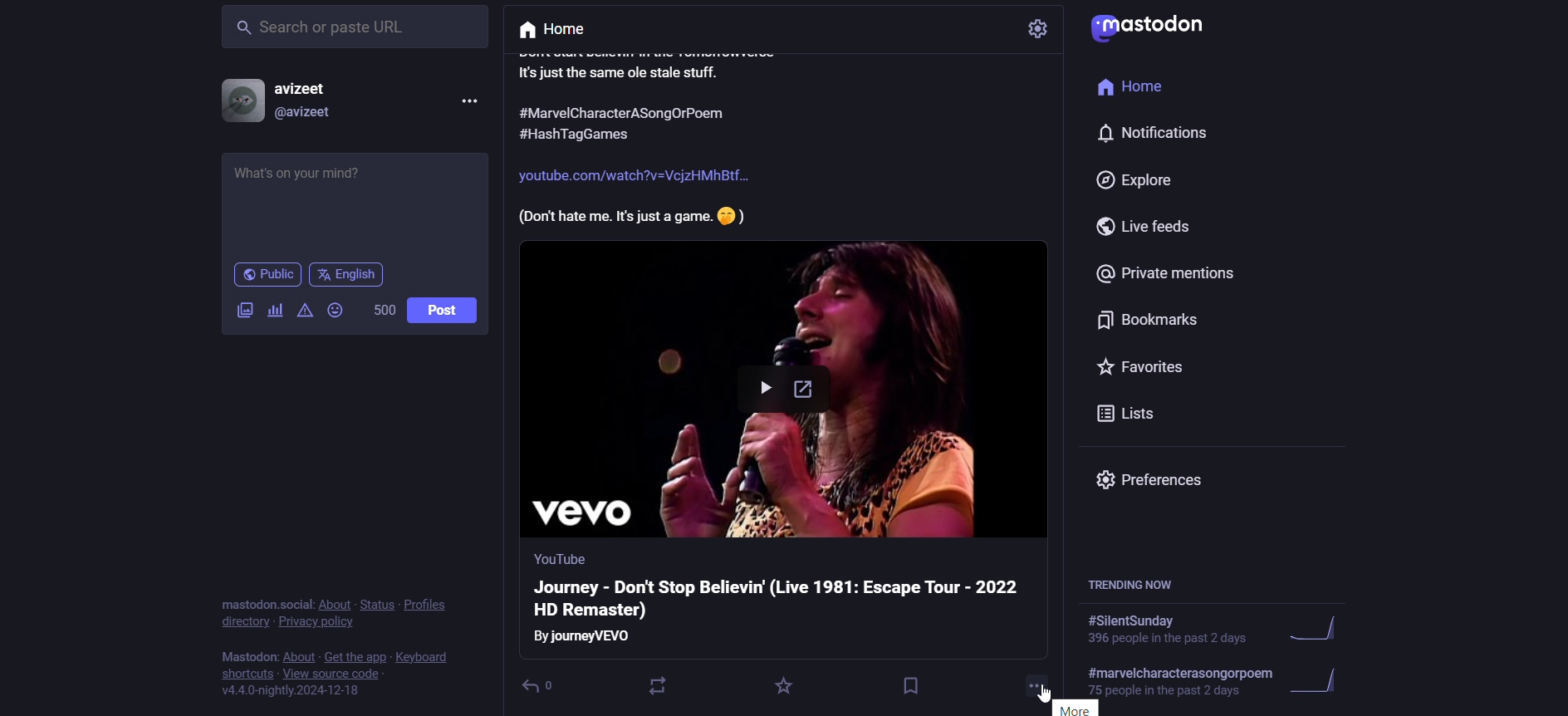  What do you see at coordinates (1135, 587) in the screenshot?
I see `trending hashtags` at bounding box center [1135, 587].